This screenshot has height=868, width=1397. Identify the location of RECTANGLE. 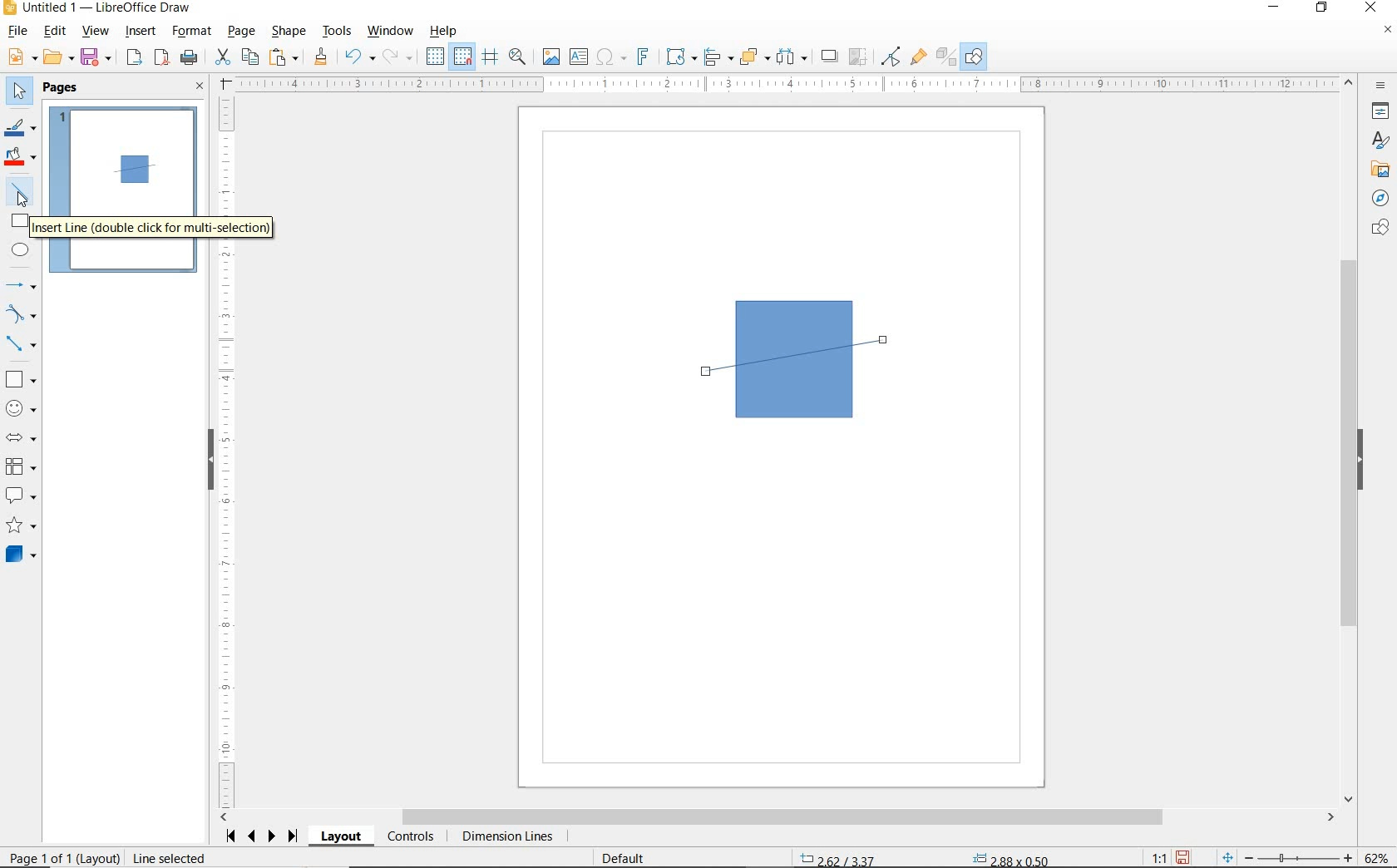
(21, 220).